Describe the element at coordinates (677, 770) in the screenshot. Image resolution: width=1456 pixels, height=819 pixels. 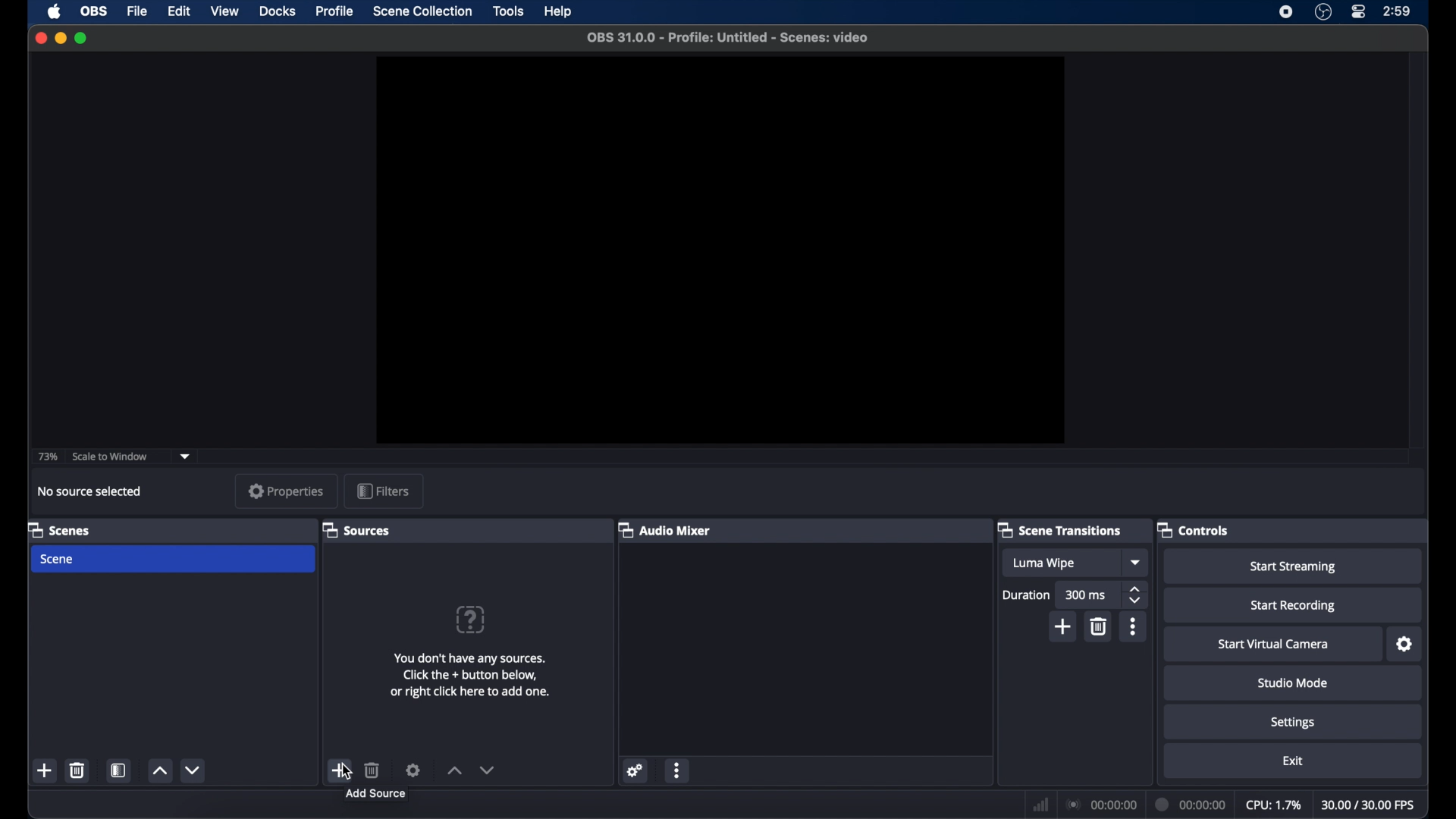
I see `more options` at that location.